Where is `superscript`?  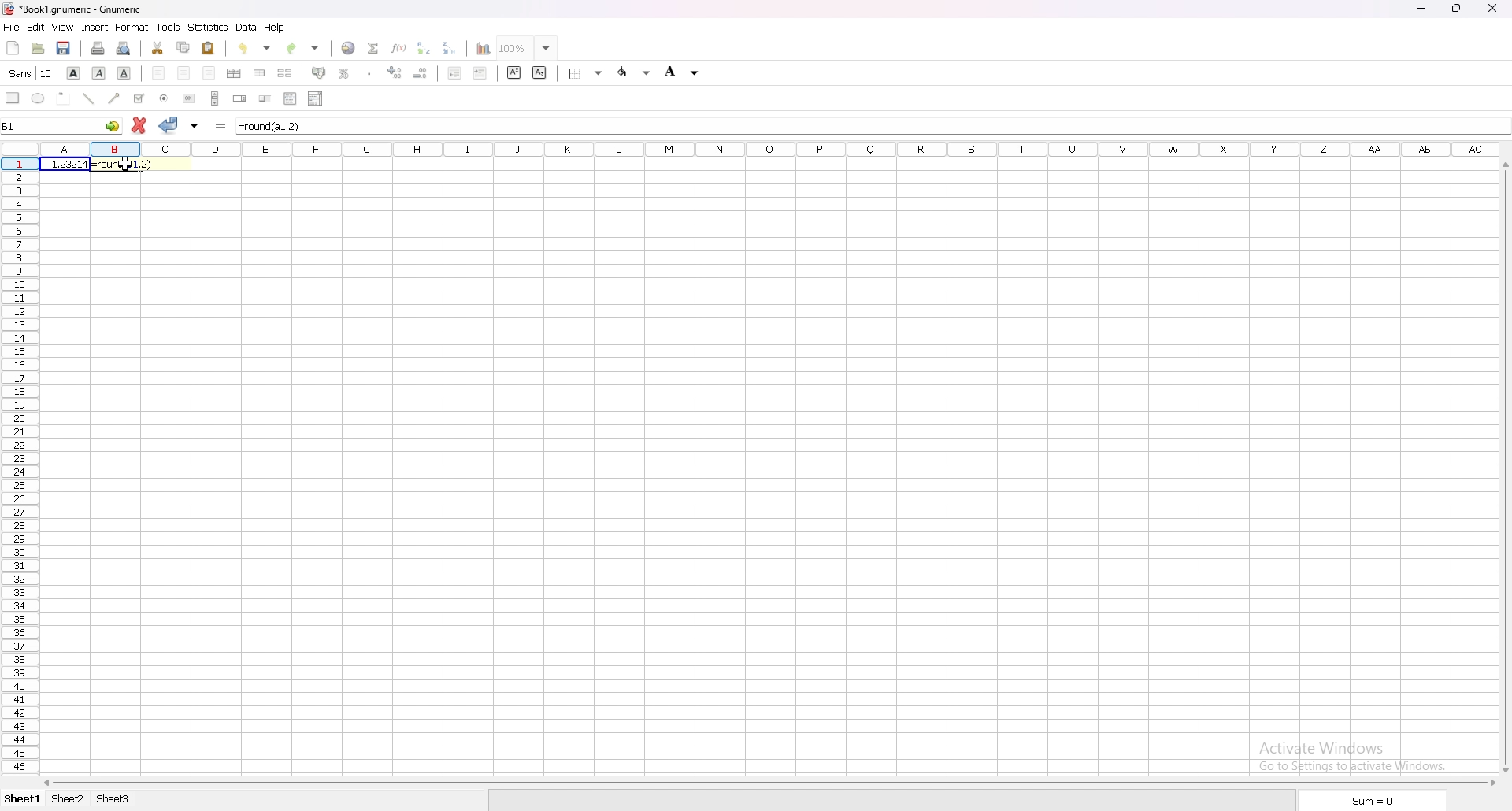
superscript is located at coordinates (515, 73).